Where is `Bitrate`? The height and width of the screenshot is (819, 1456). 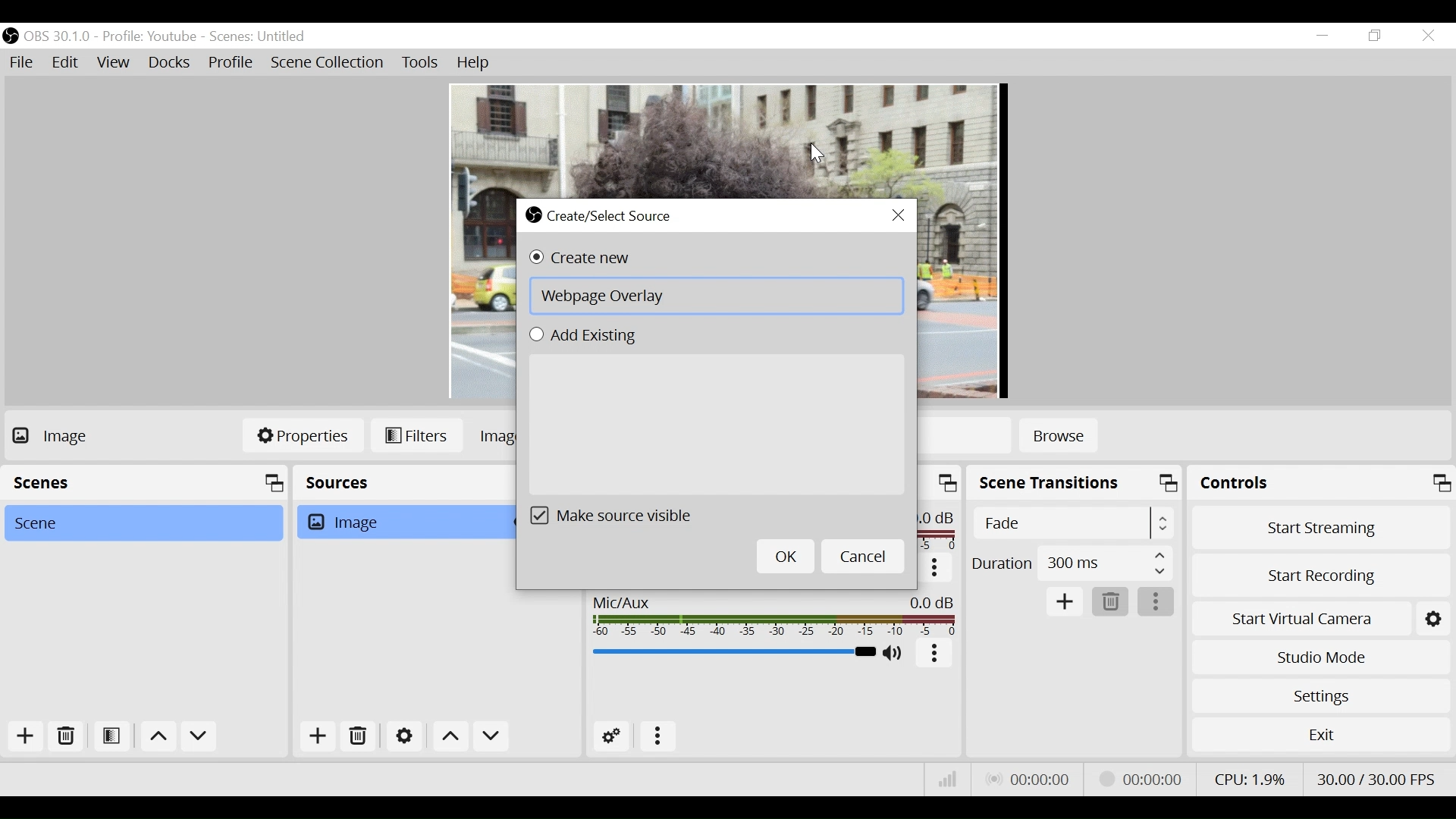 Bitrate is located at coordinates (949, 779).